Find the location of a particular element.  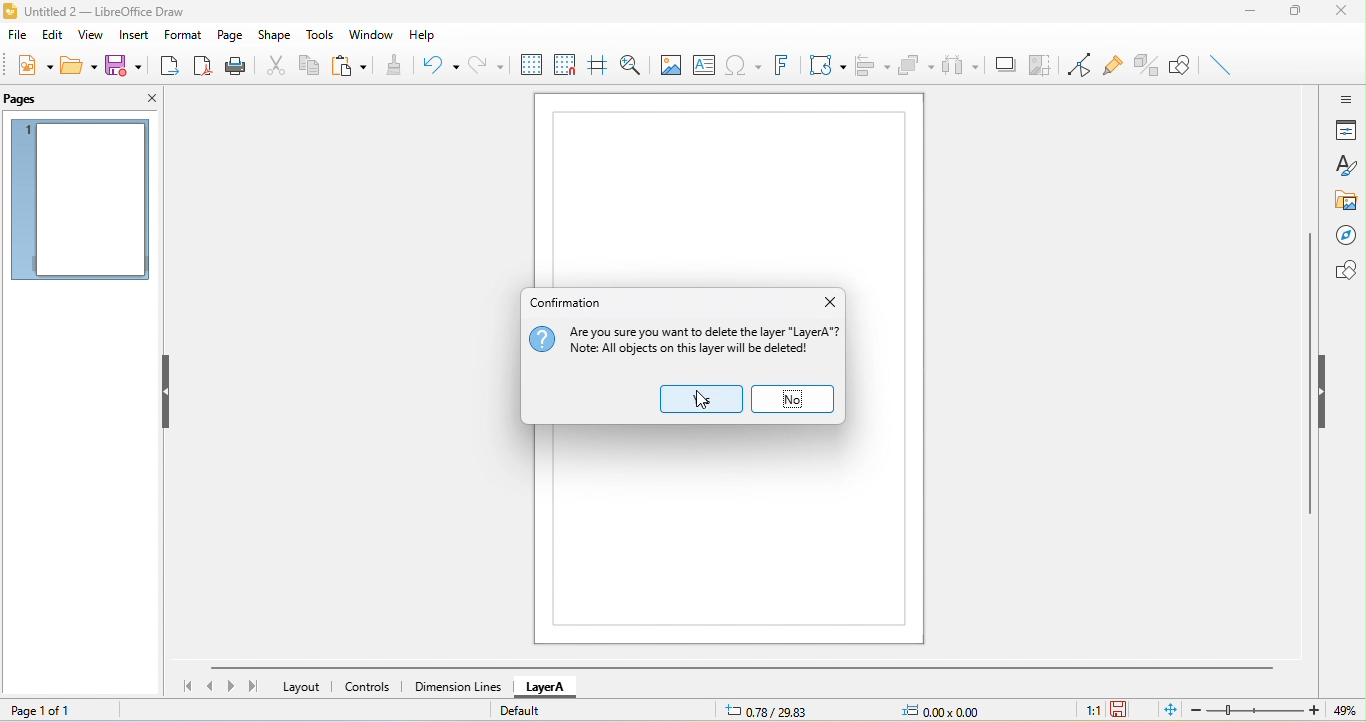

copy  is located at coordinates (311, 66).